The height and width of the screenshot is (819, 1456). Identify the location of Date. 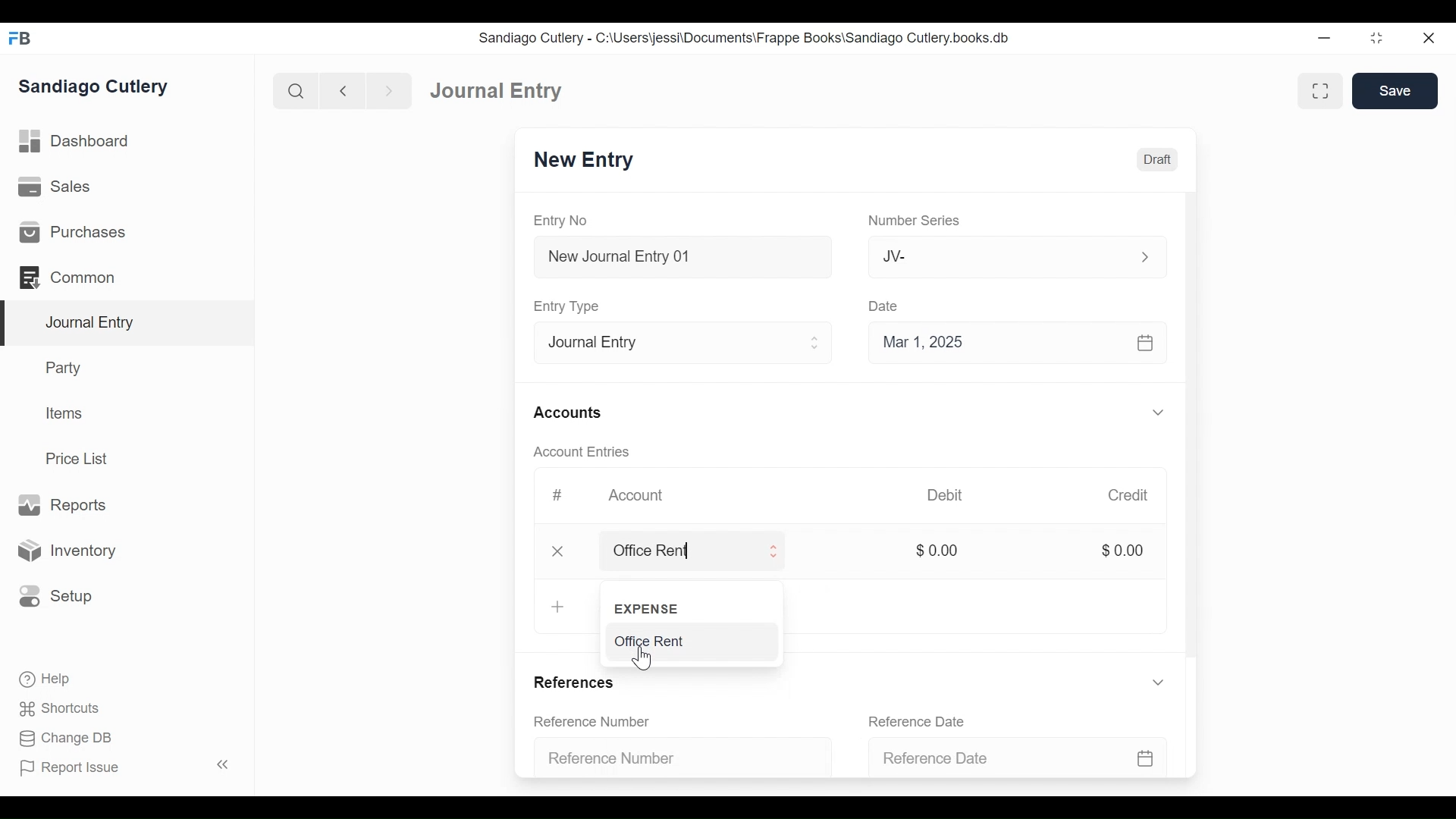
(884, 306).